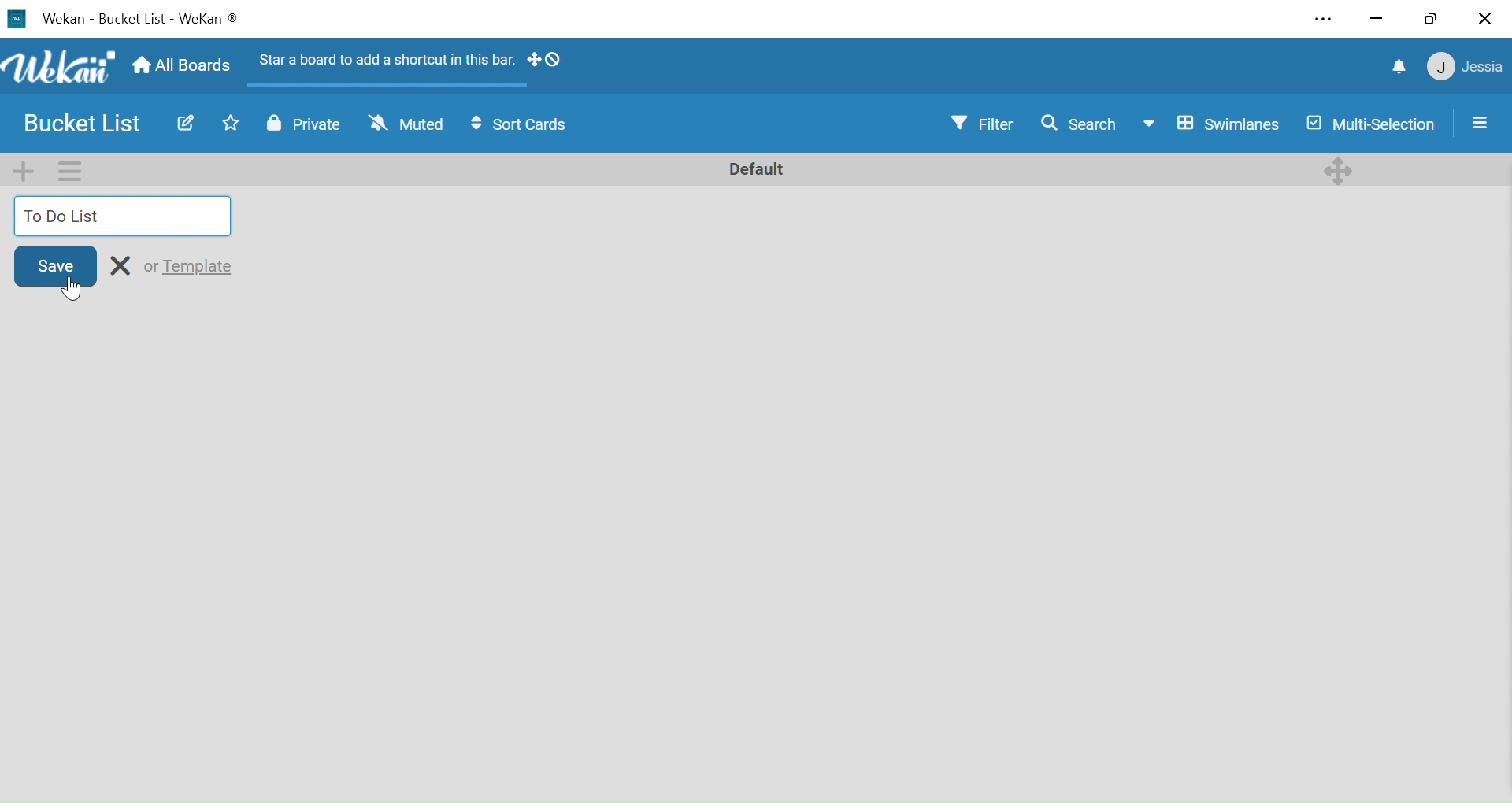 Image resolution: width=1512 pixels, height=803 pixels. Describe the element at coordinates (985, 124) in the screenshot. I see `Filter` at that location.